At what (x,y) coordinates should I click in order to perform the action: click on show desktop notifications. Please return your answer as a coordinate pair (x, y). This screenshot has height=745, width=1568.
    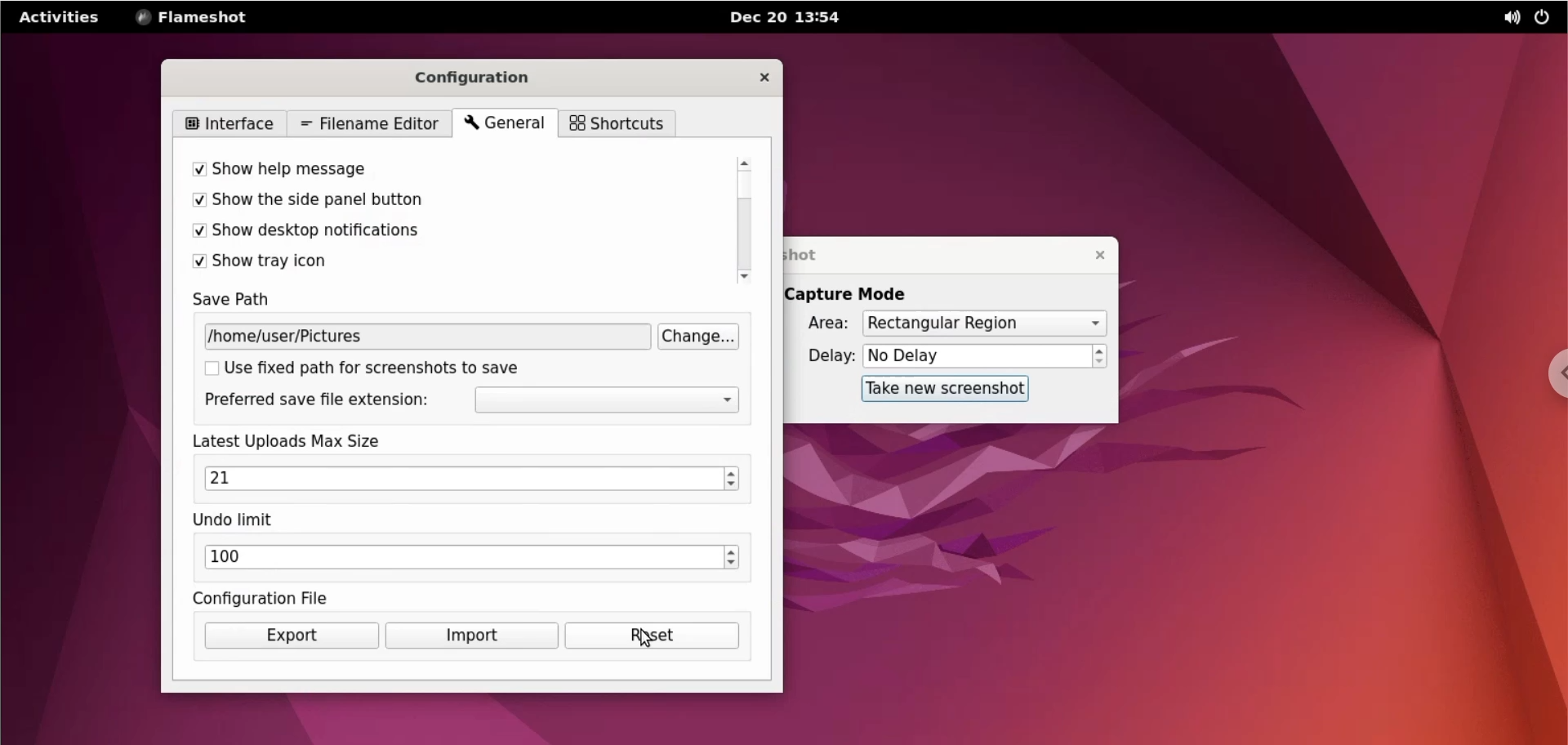
    Looking at the image, I should click on (444, 234).